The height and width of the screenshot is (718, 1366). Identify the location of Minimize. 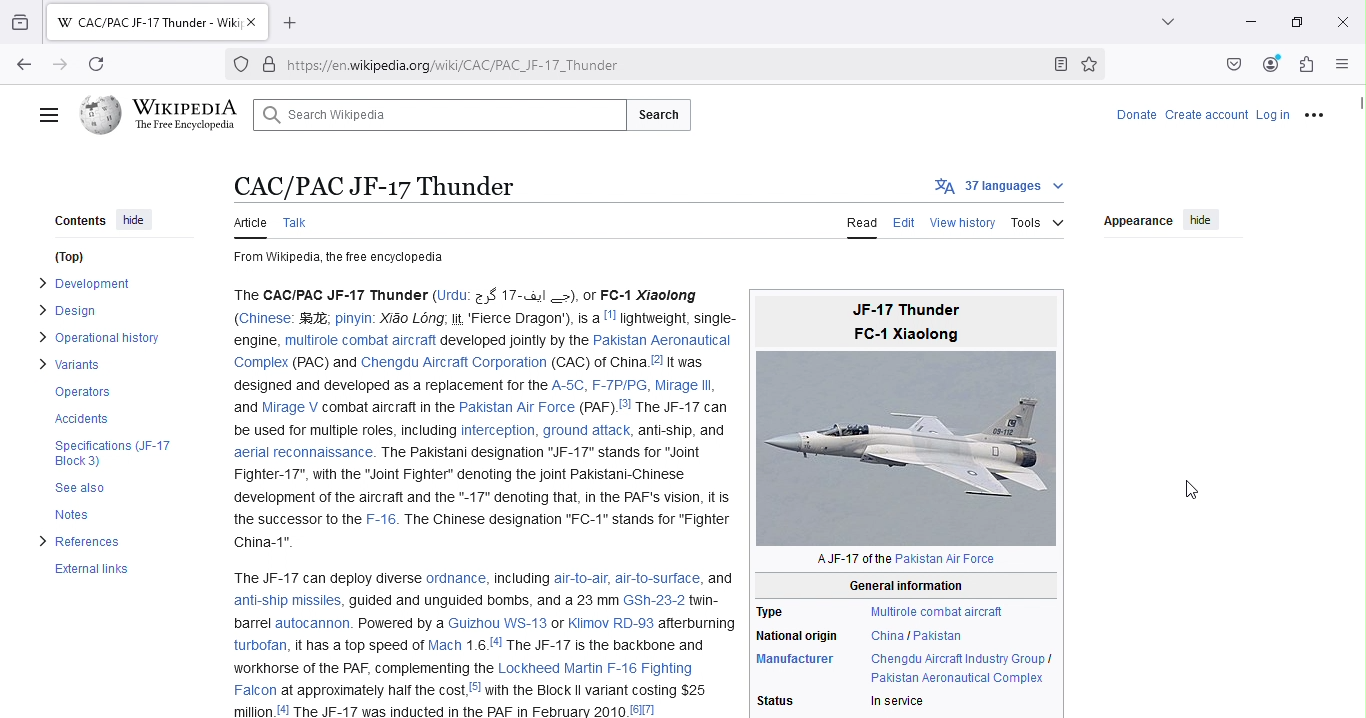
(1250, 22).